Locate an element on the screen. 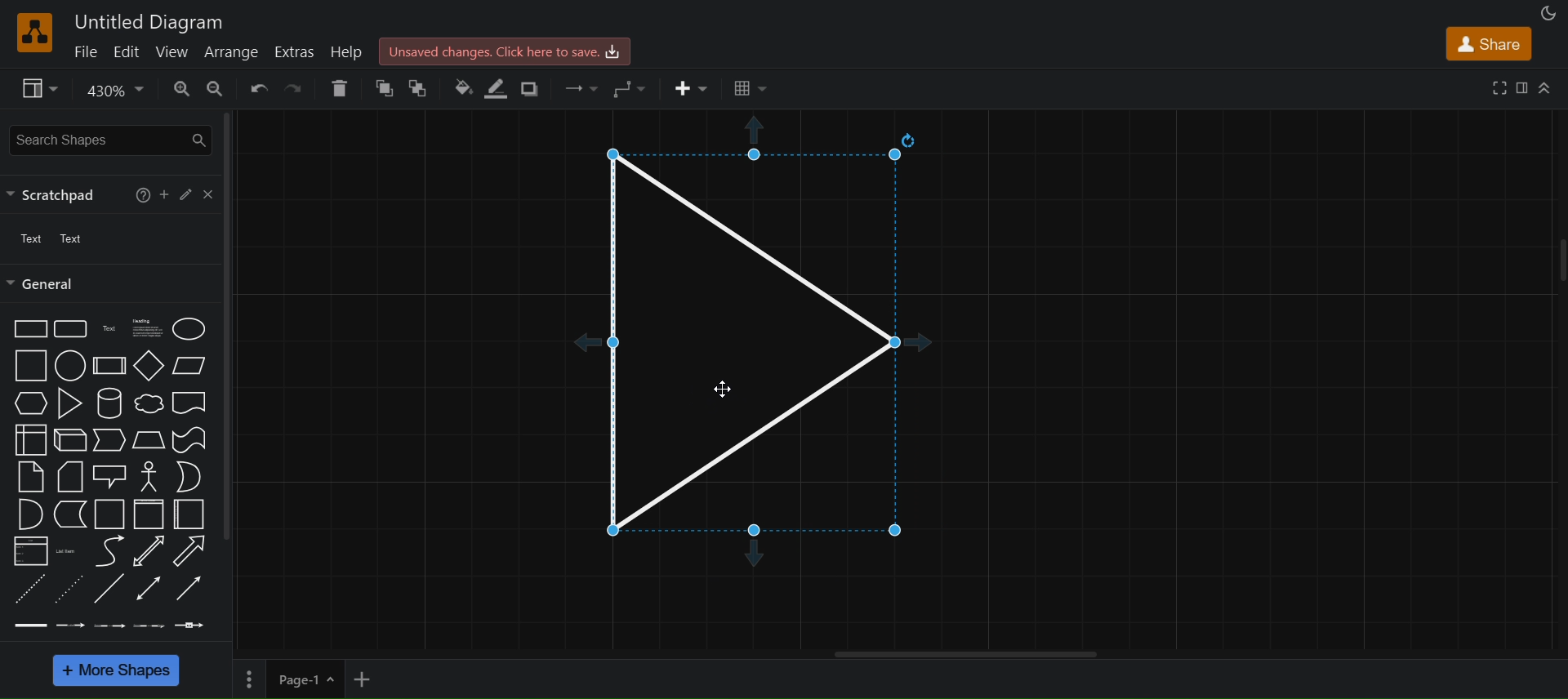 Image resolution: width=1568 pixels, height=699 pixels. waypoints is located at coordinates (629, 86).